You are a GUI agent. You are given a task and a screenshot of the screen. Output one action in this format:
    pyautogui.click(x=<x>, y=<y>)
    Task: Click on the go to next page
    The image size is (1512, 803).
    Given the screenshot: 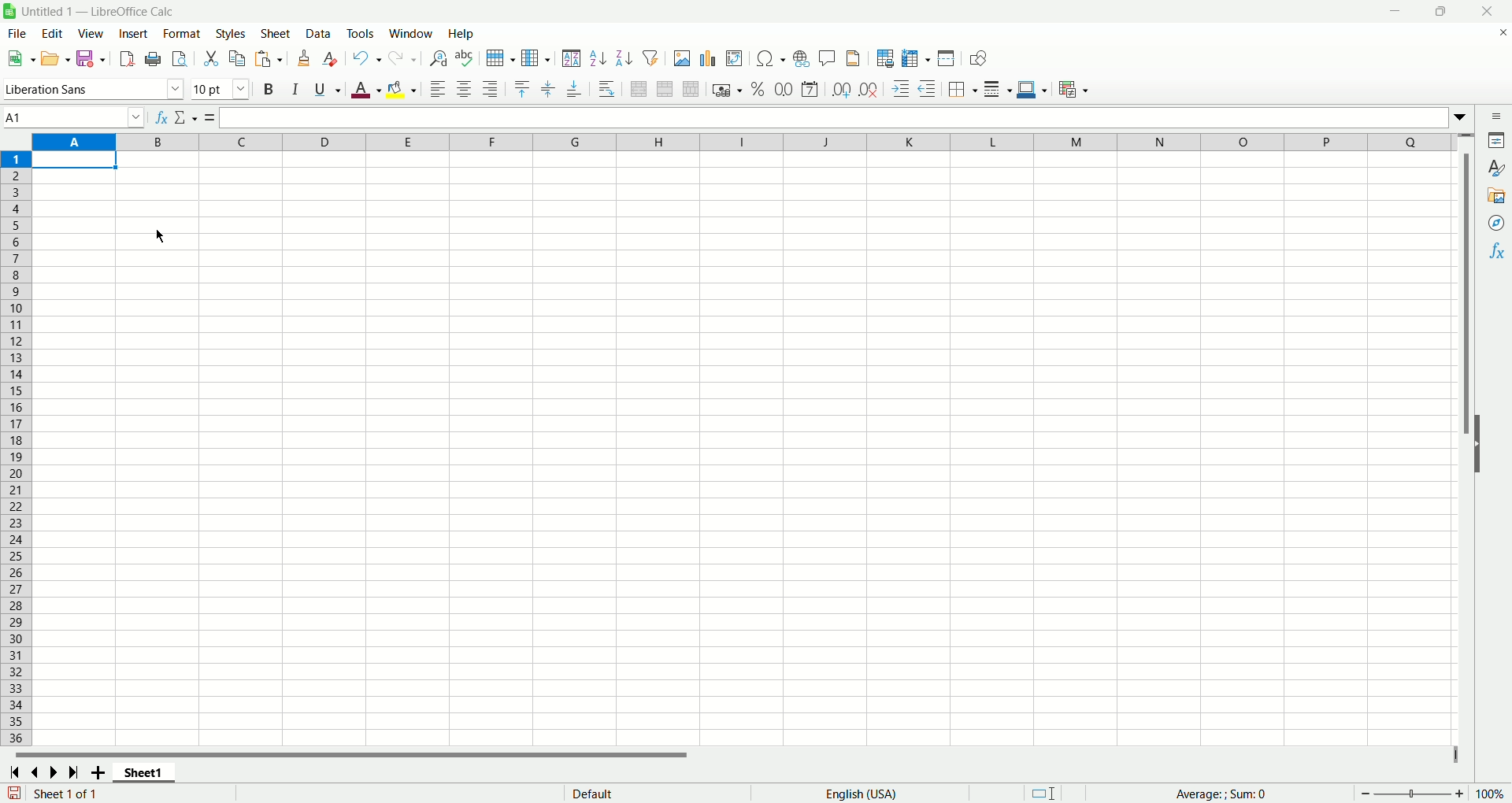 What is the action you would take?
    pyautogui.click(x=54, y=773)
    